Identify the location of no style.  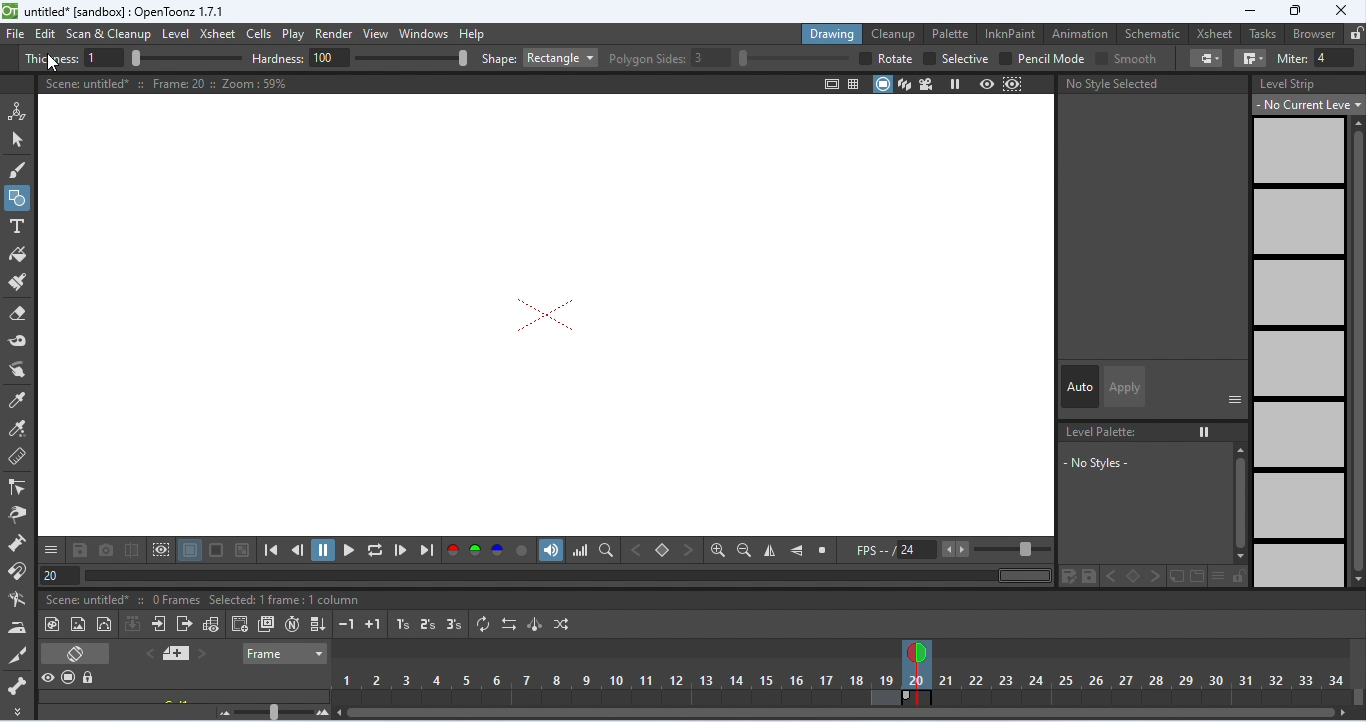
(1099, 463).